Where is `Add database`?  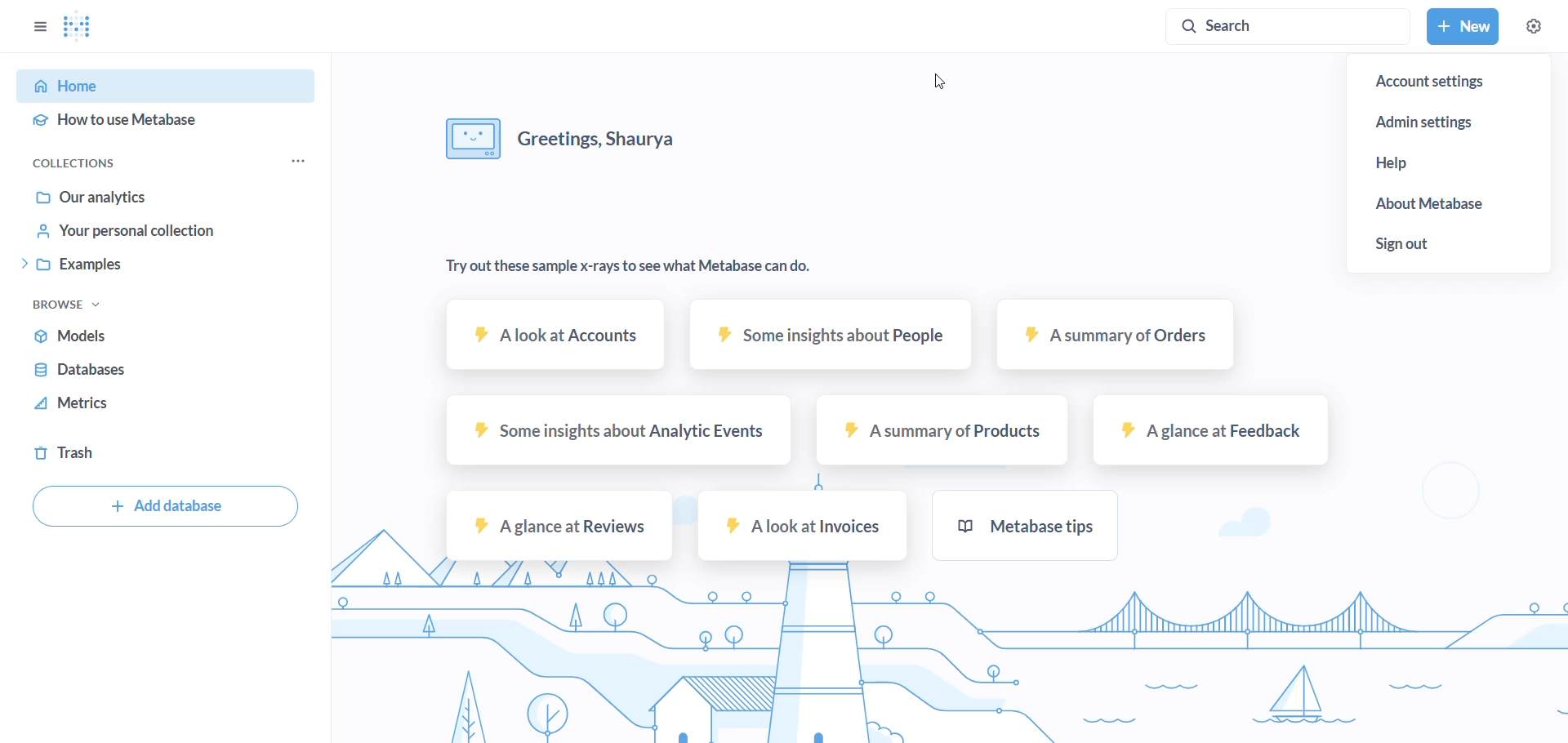 Add database is located at coordinates (165, 508).